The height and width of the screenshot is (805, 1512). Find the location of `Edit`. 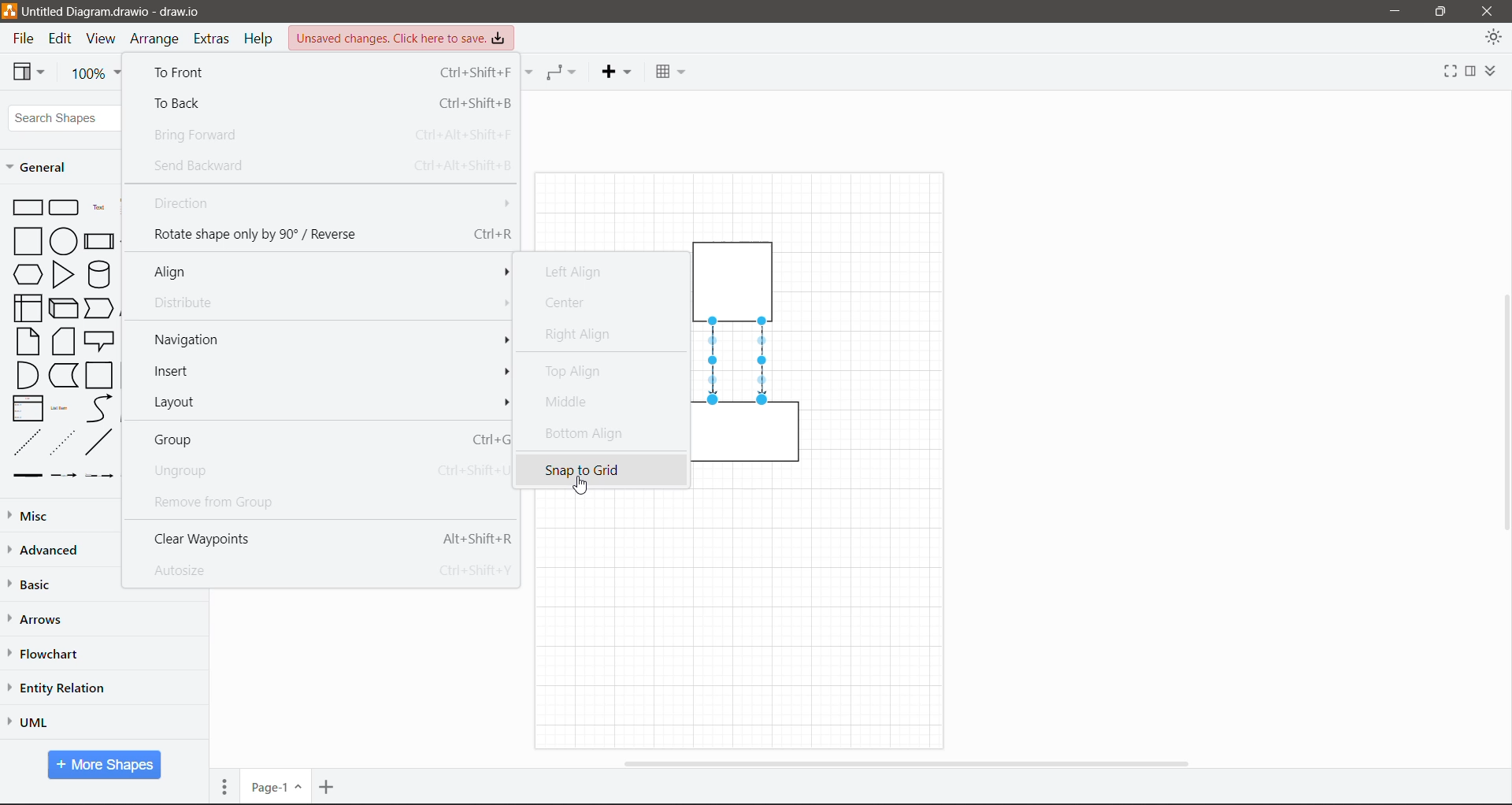

Edit is located at coordinates (62, 39).